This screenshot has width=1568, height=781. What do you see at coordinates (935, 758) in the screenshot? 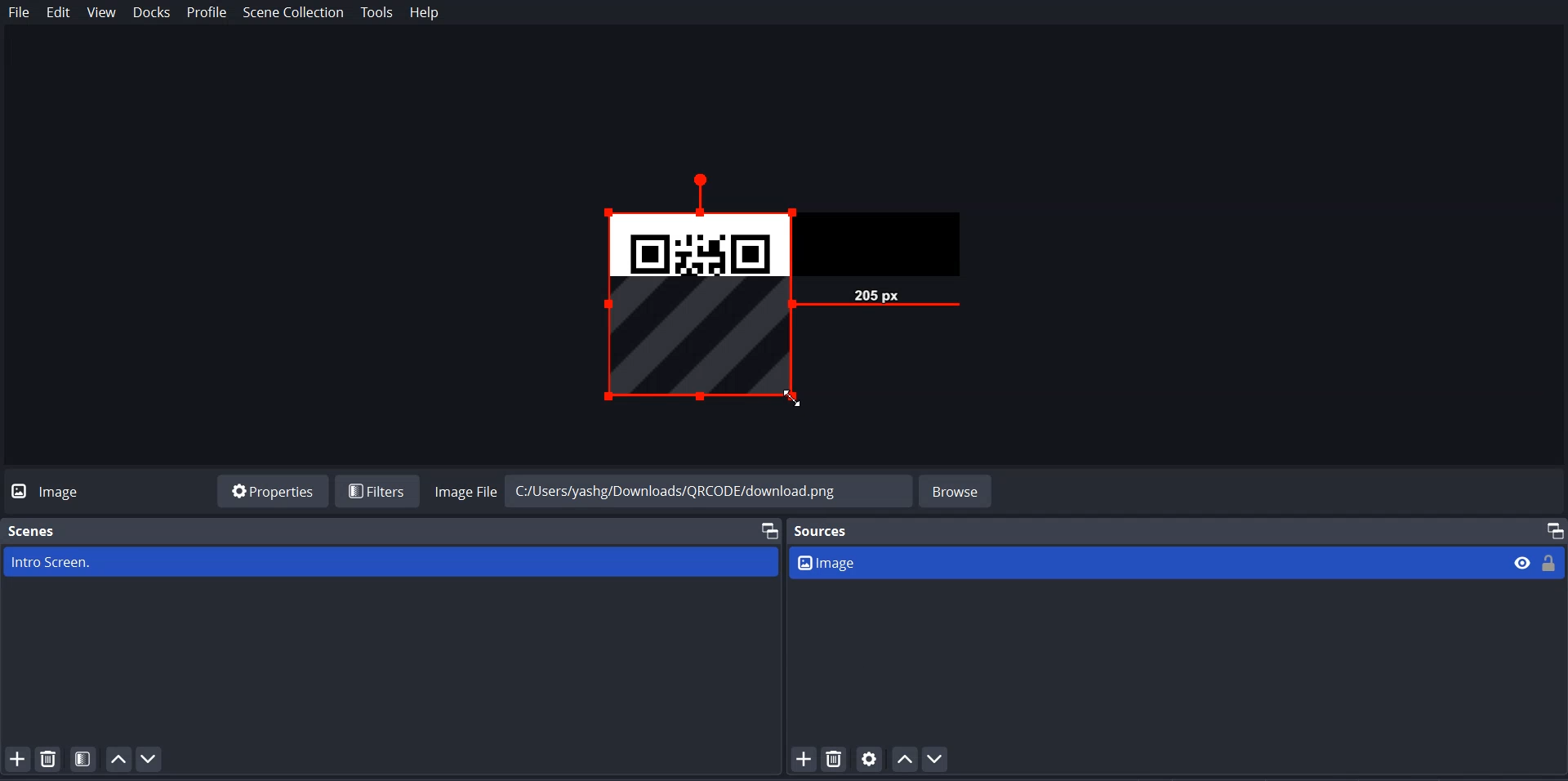
I see `Move Source Down` at bounding box center [935, 758].